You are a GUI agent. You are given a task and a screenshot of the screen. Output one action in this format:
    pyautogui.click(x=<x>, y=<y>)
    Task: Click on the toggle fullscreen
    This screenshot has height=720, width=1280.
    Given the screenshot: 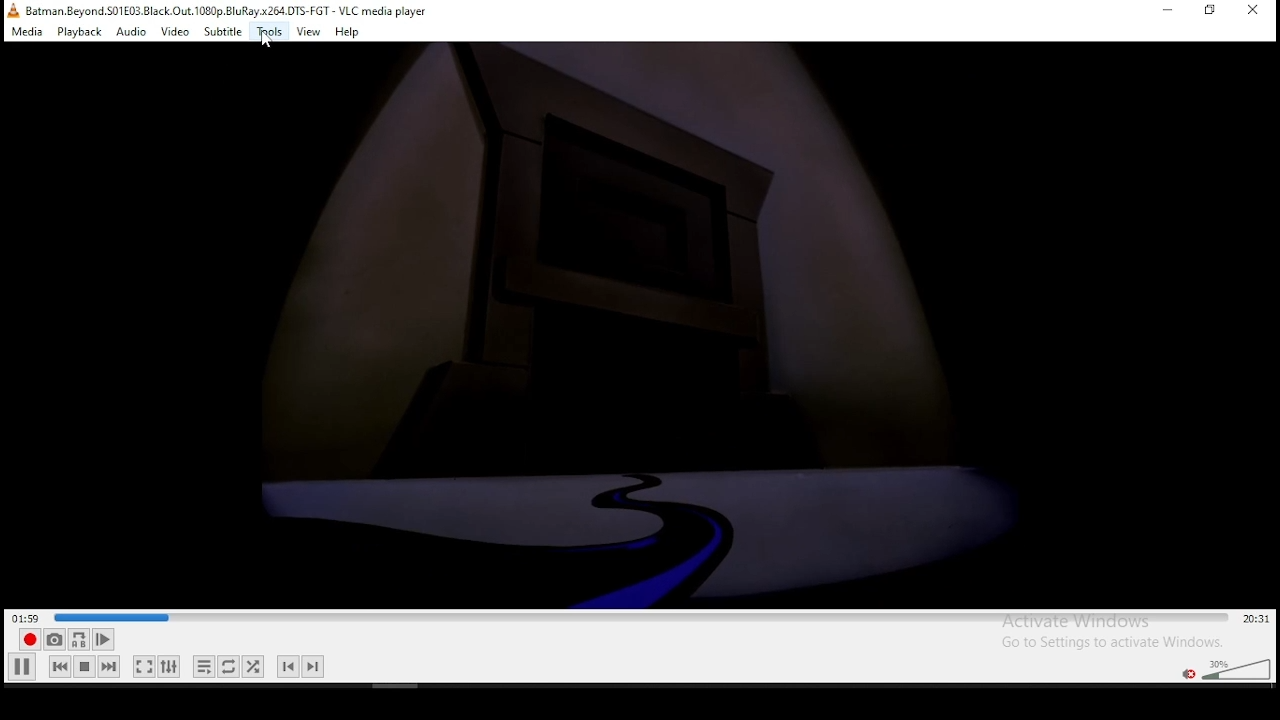 What is the action you would take?
    pyautogui.click(x=142, y=666)
    